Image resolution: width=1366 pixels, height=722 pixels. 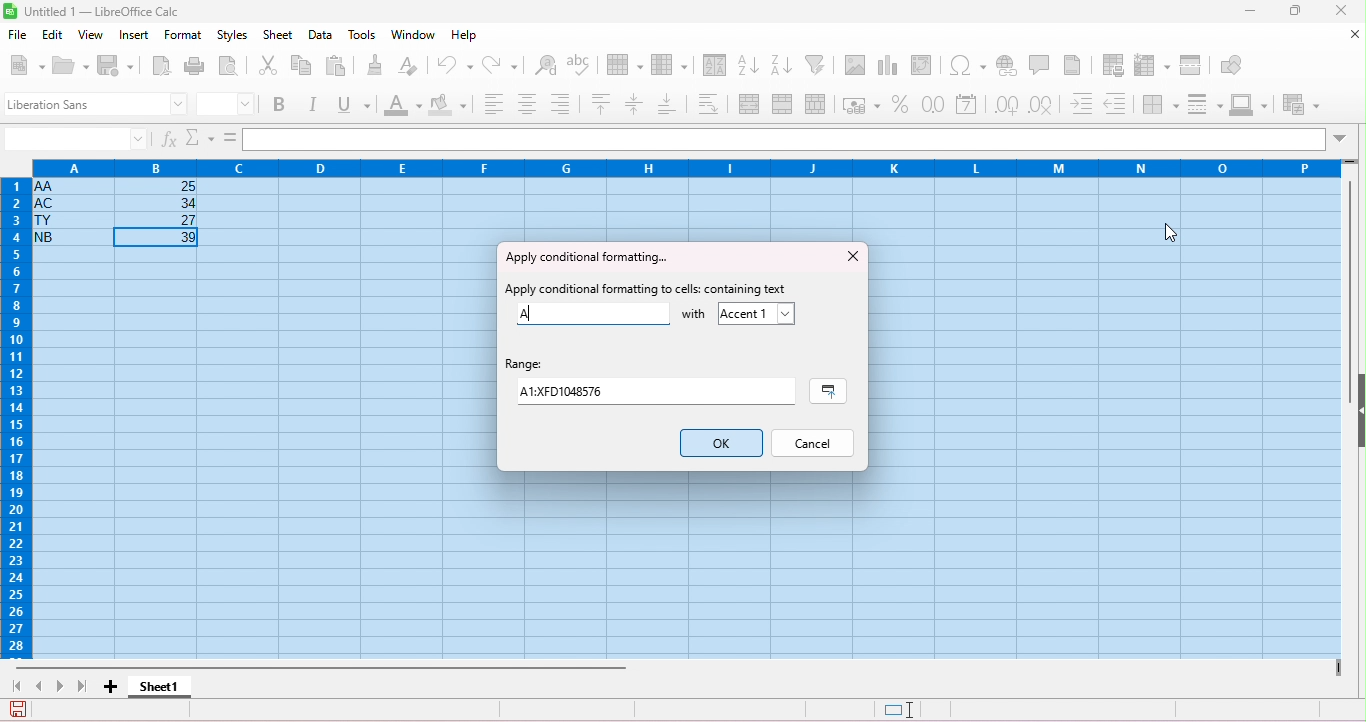 I want to click on align bottom, so click(x=668, y=104).